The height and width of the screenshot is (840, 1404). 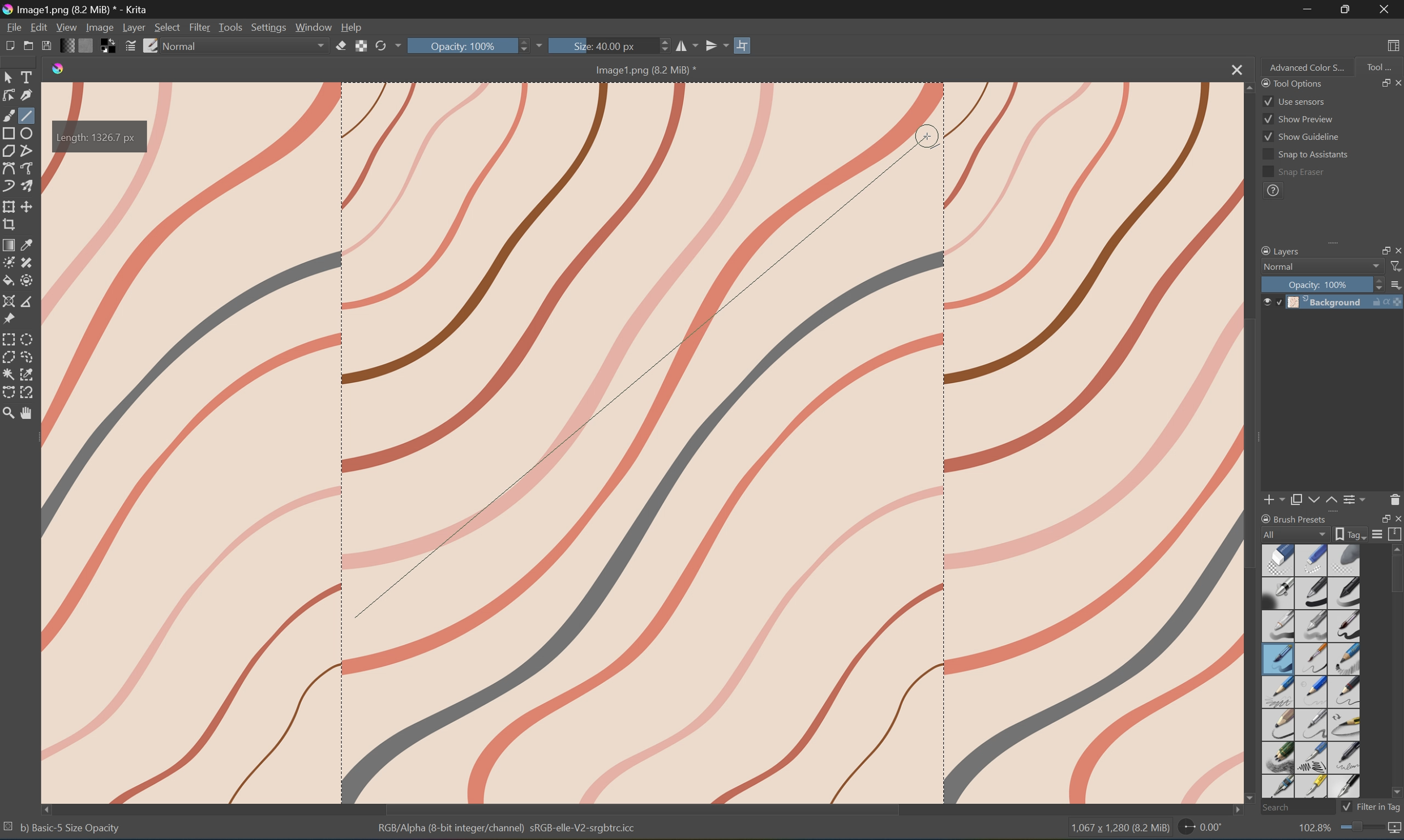 I want to click on Select, so click(x=167, y=27).